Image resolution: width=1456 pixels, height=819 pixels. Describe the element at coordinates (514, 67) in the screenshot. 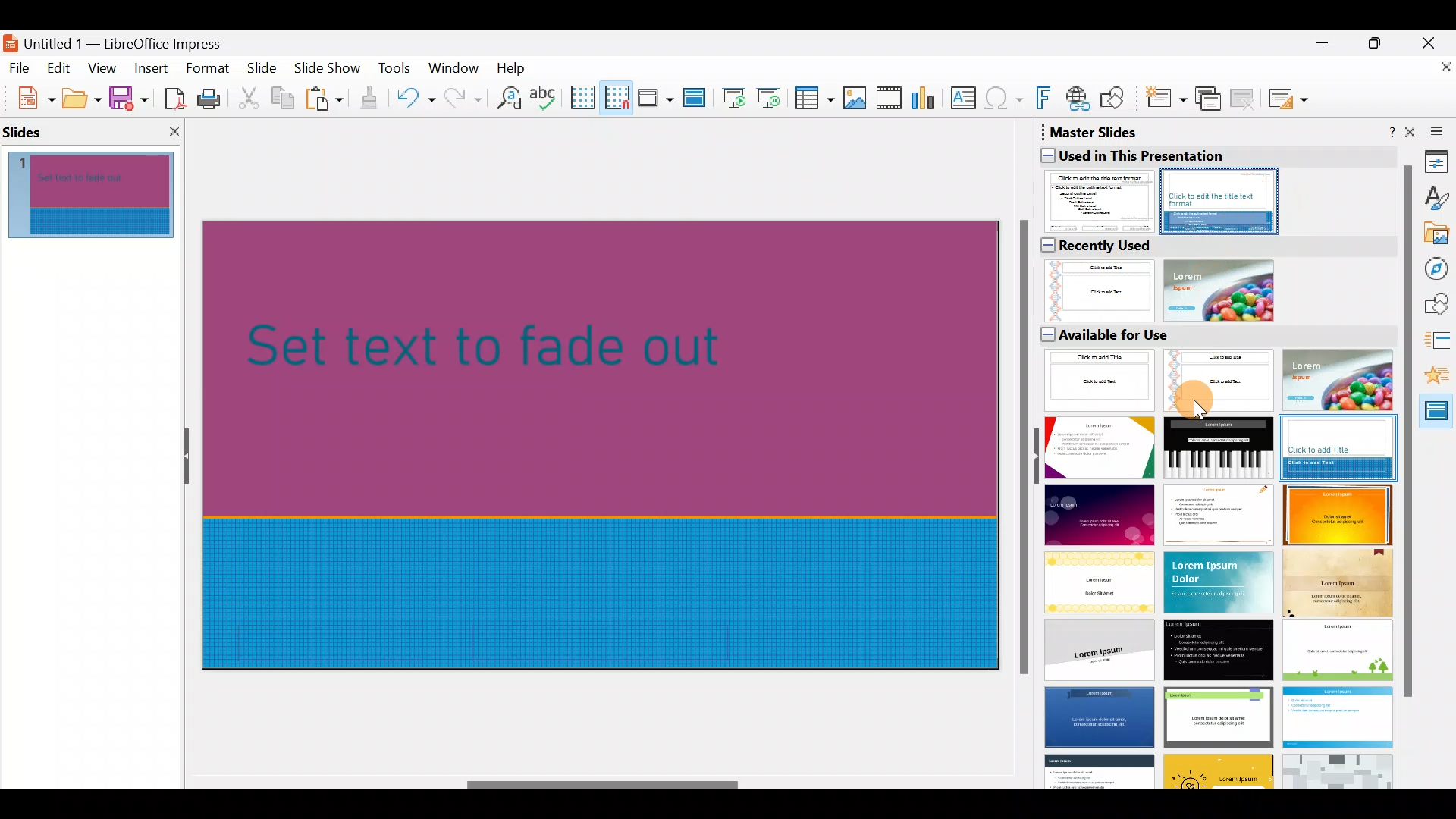

I see `Help` at that location.